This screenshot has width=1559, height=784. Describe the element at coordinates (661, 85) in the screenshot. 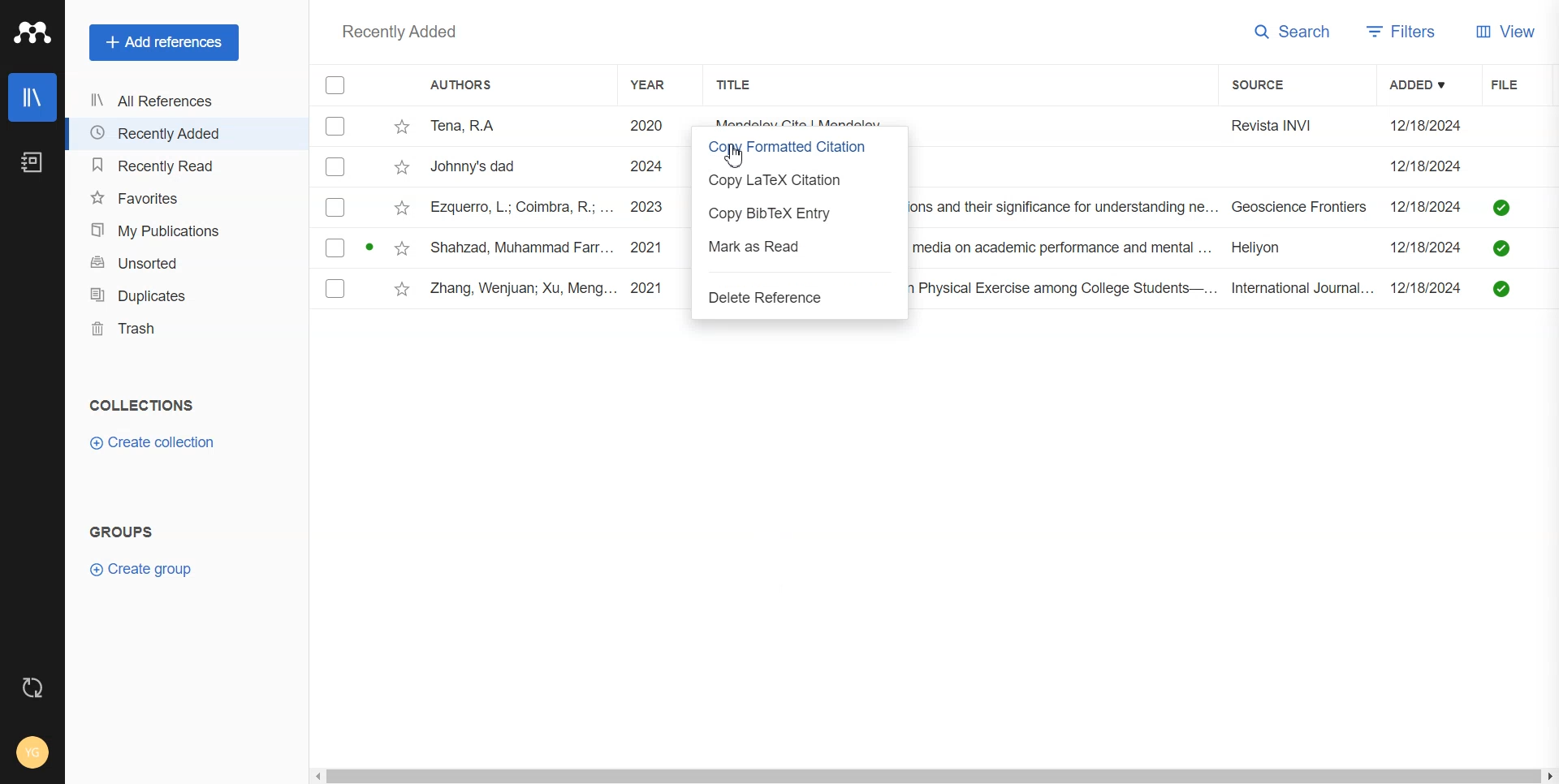

I see `Year` at that location.